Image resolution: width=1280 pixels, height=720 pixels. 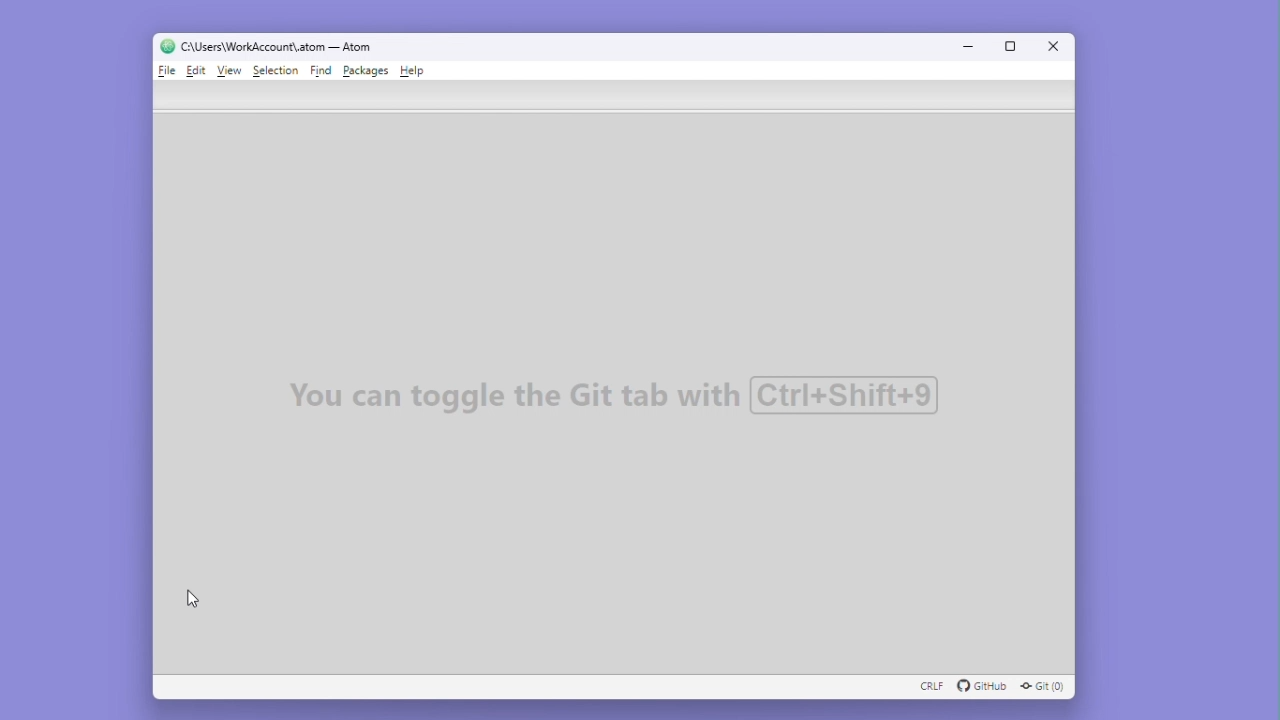 I want to click on GIT (0), so click(x=1047, y=686).